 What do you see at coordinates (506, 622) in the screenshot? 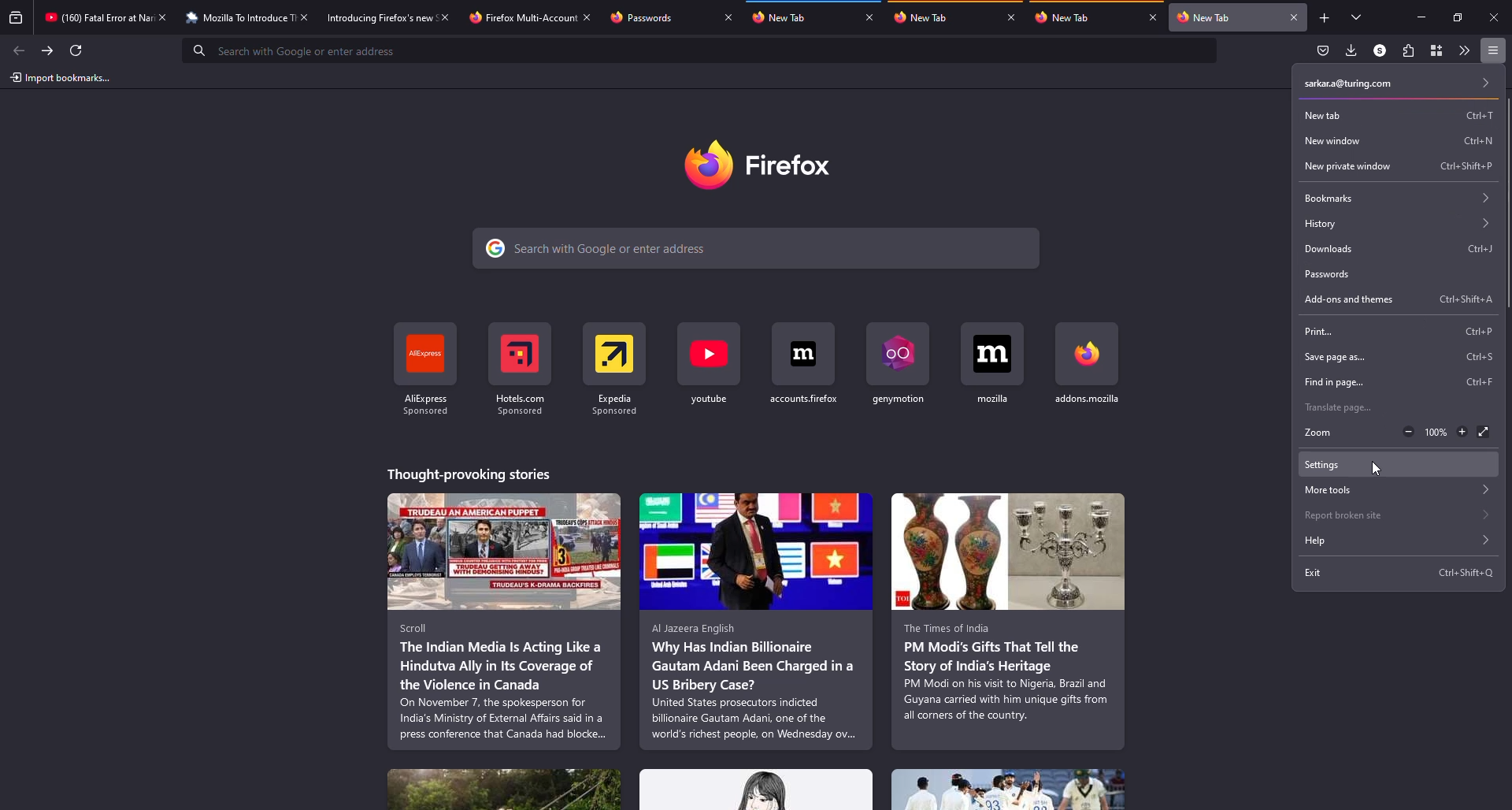
I see `stories` at bounding box center [506, 622].